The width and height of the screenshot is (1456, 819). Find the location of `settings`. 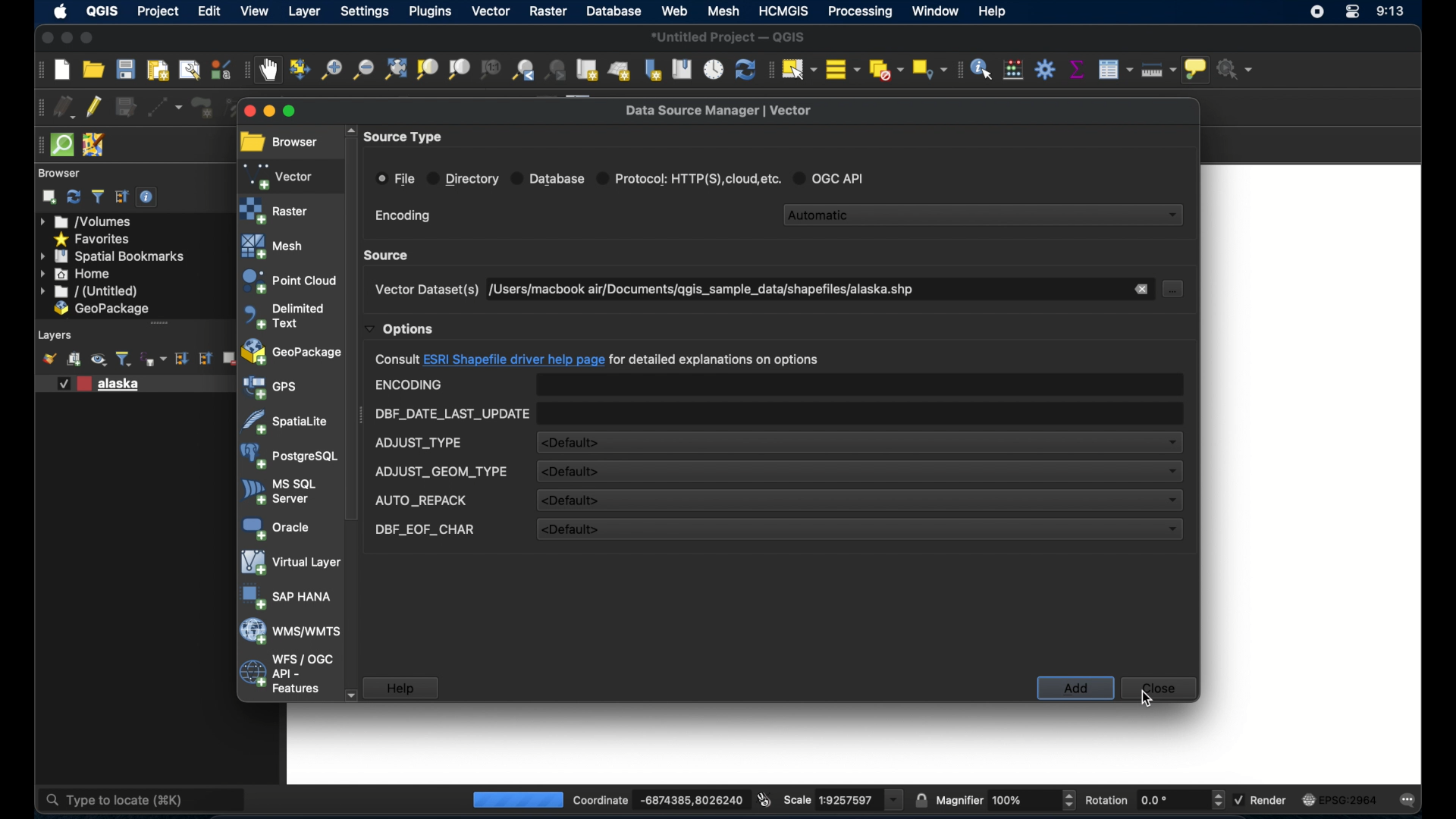

settings is located at coordinates (363, 11).